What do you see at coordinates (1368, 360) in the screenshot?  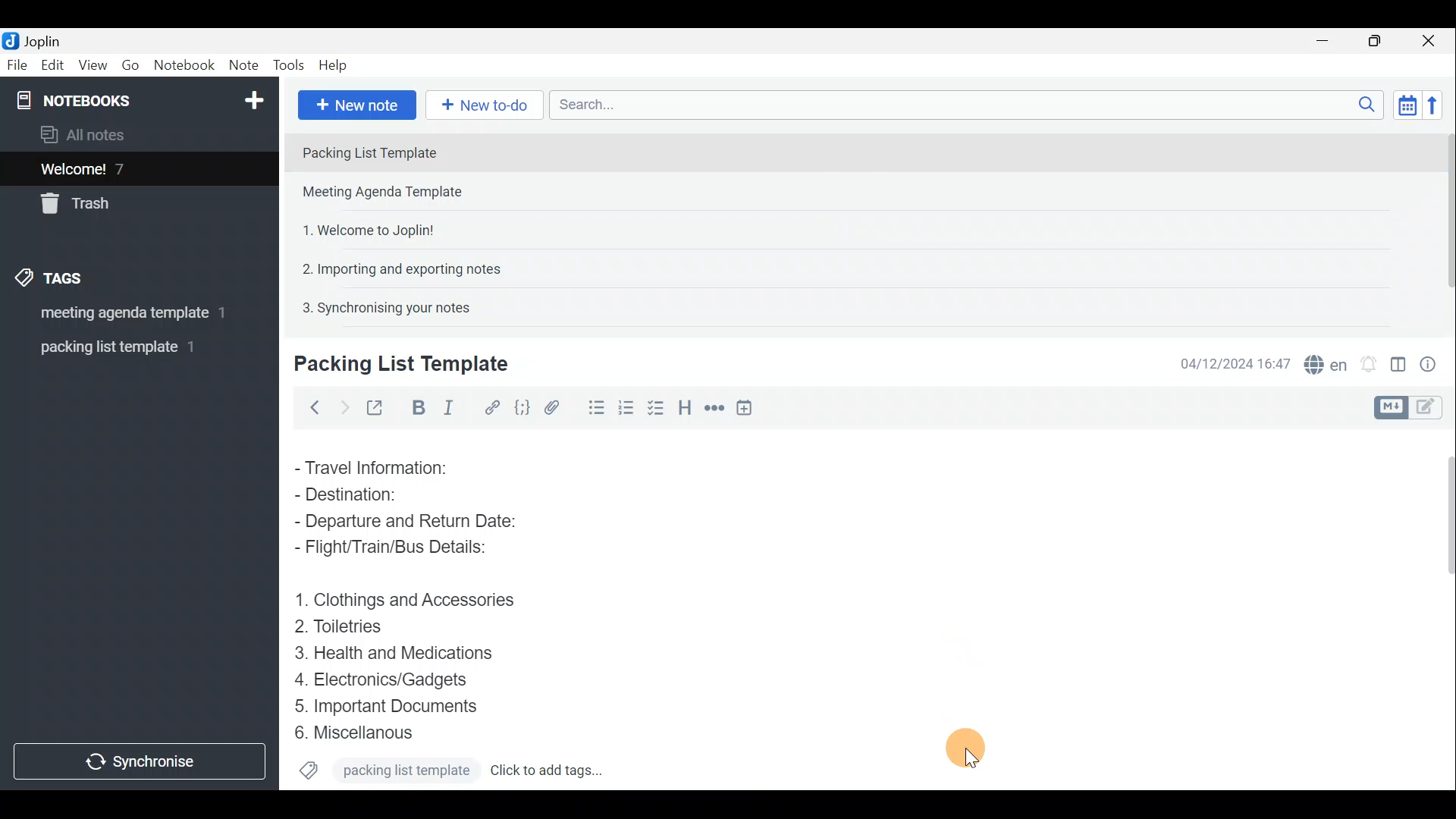 I see `Set alarm` at bounding box center [1368, 360].